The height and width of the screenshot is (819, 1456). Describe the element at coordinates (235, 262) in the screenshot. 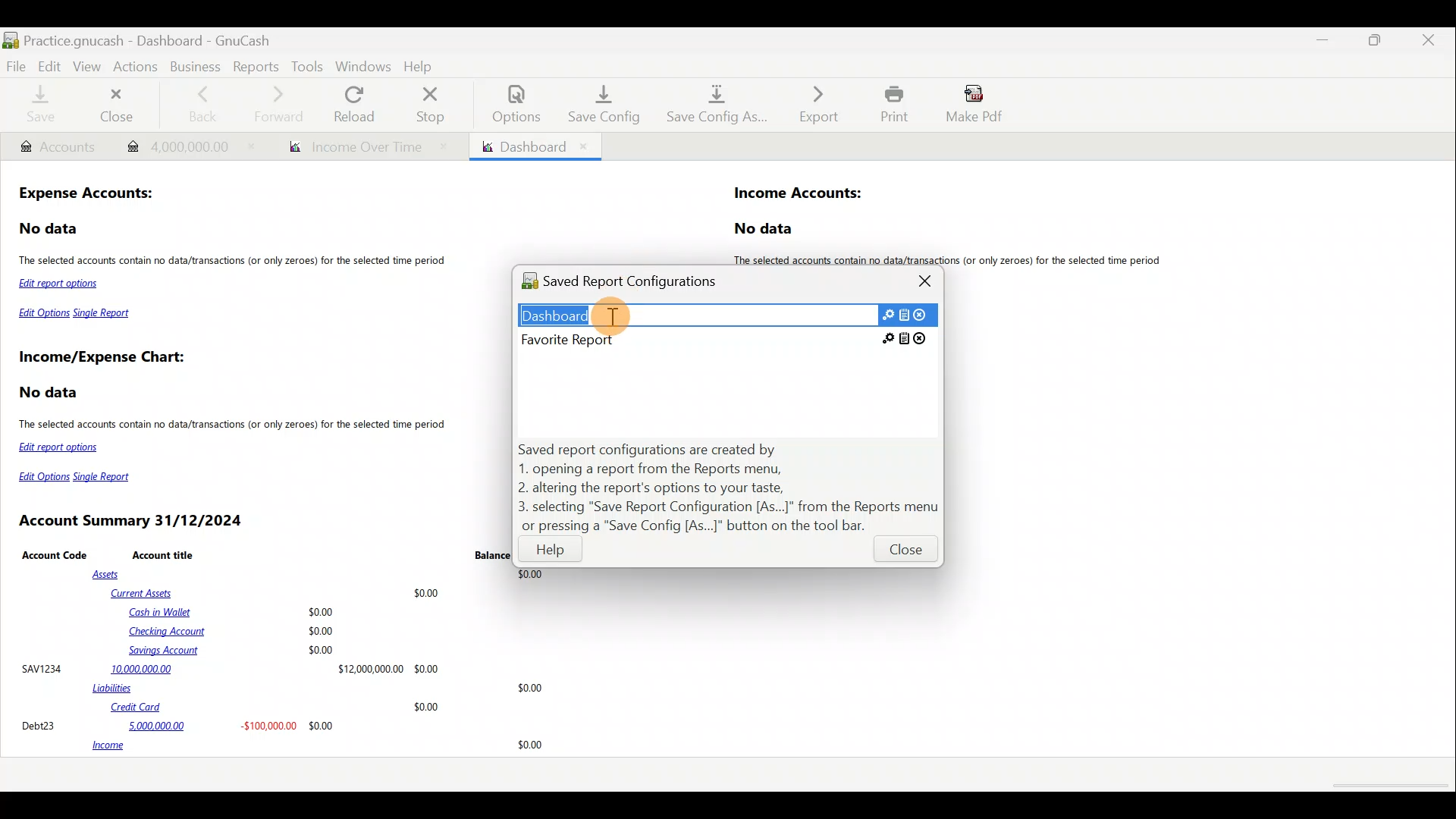

I see `The selected accounts contain no data/transactions (or only zeroes) for the selected time period` at that location.